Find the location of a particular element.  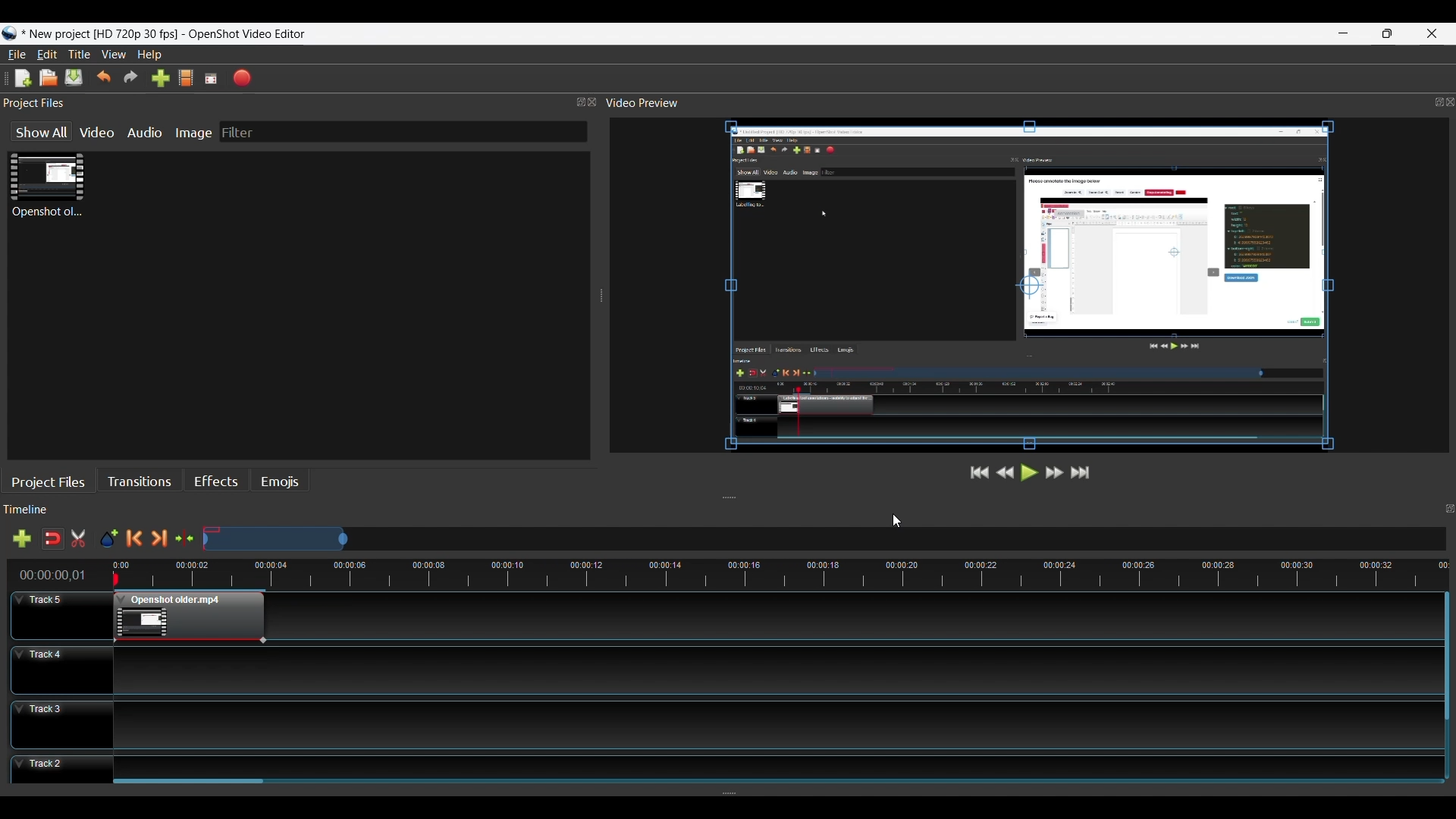

Cursor is located at coordinates (897, 521).